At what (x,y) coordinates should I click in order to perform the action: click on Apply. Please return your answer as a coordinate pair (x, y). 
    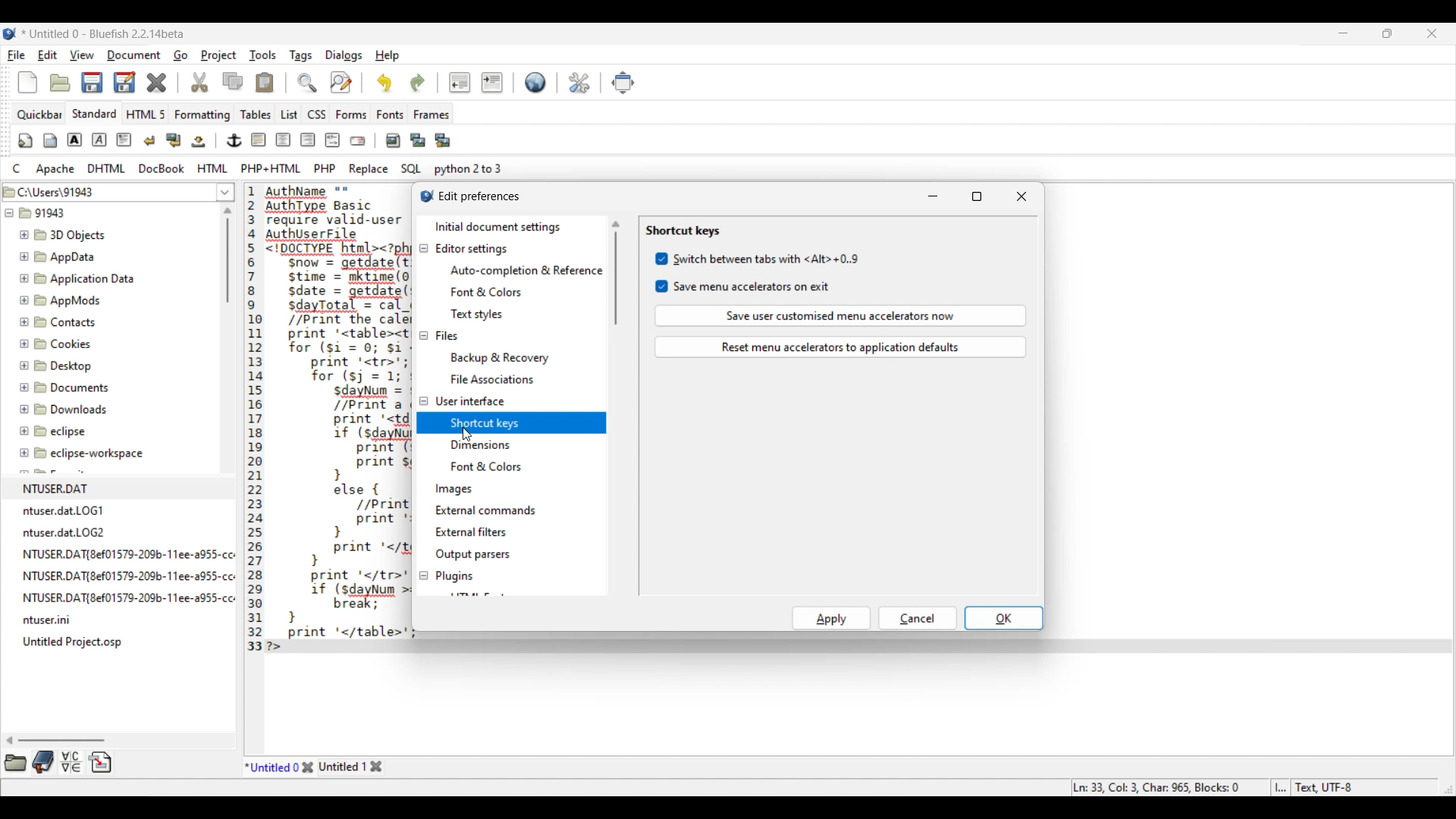
    Looking at the image, I should click on (832, 618).